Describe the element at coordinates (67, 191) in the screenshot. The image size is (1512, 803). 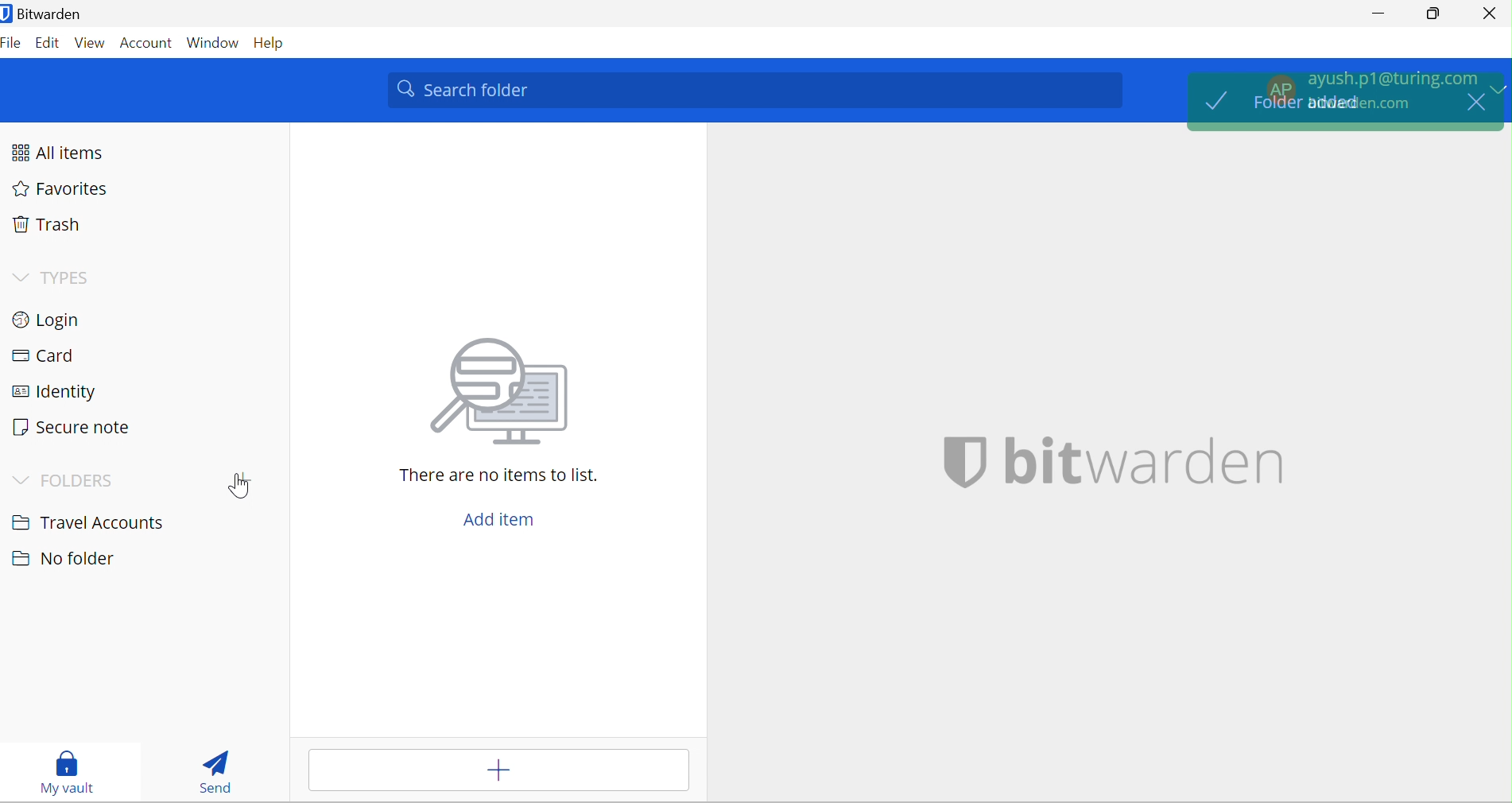
I see `Favorites` at that location.